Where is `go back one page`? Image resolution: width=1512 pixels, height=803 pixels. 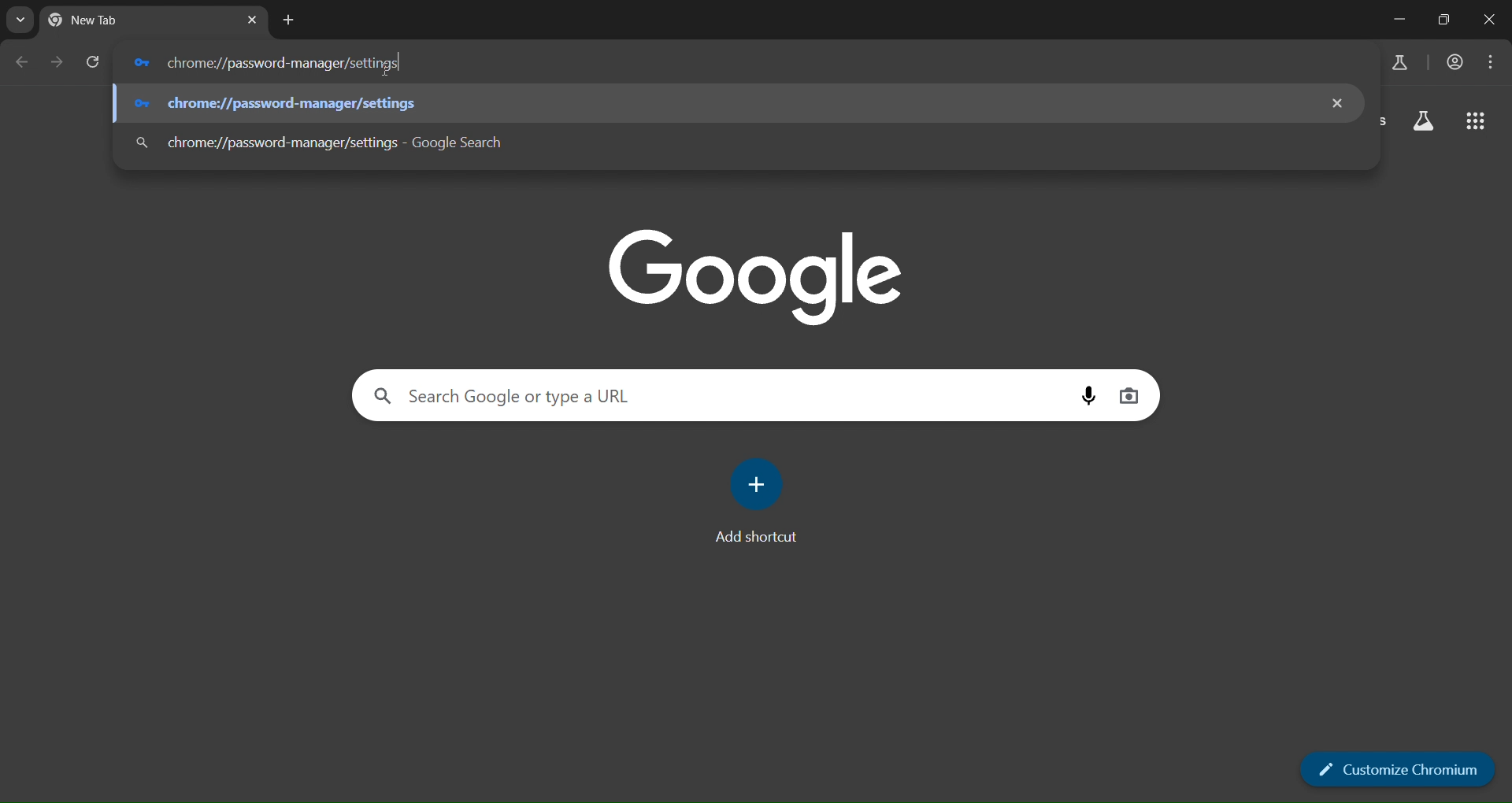 go back one page is located at coordinates (21, 62).